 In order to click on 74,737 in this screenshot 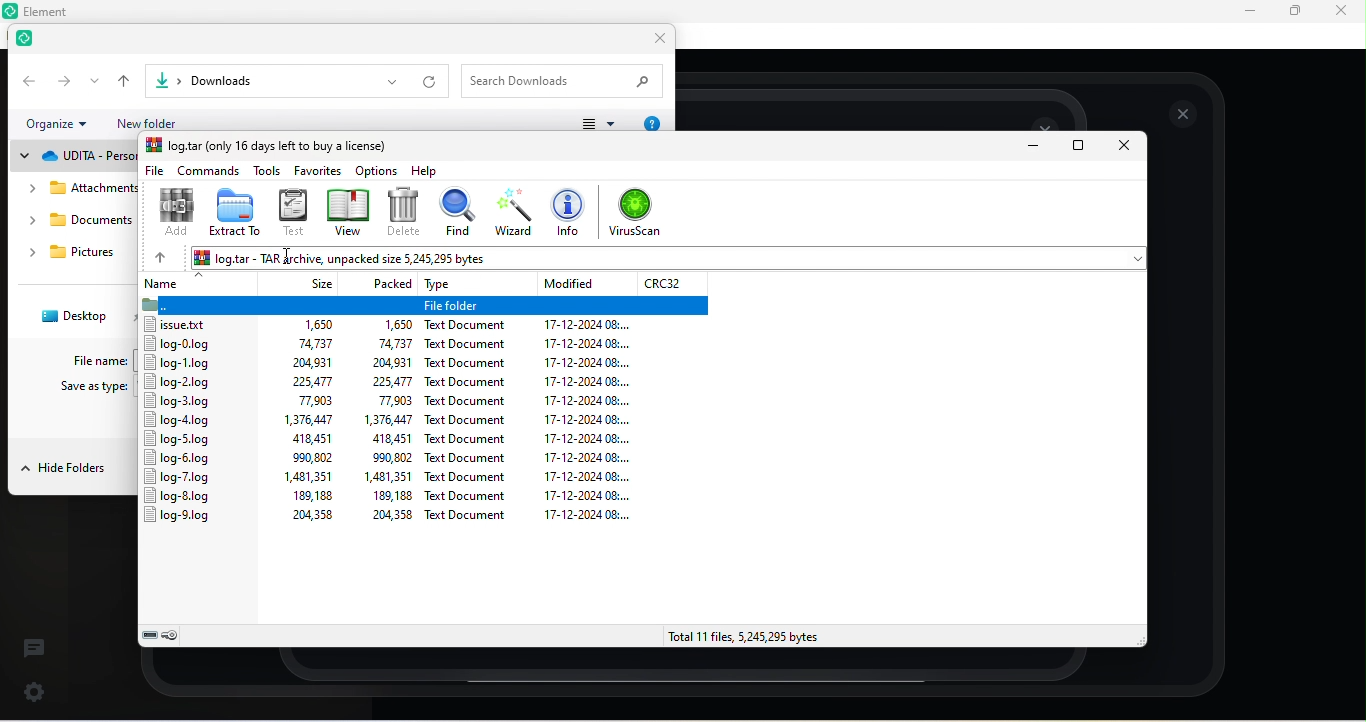, I will do `click(396, 344)`.